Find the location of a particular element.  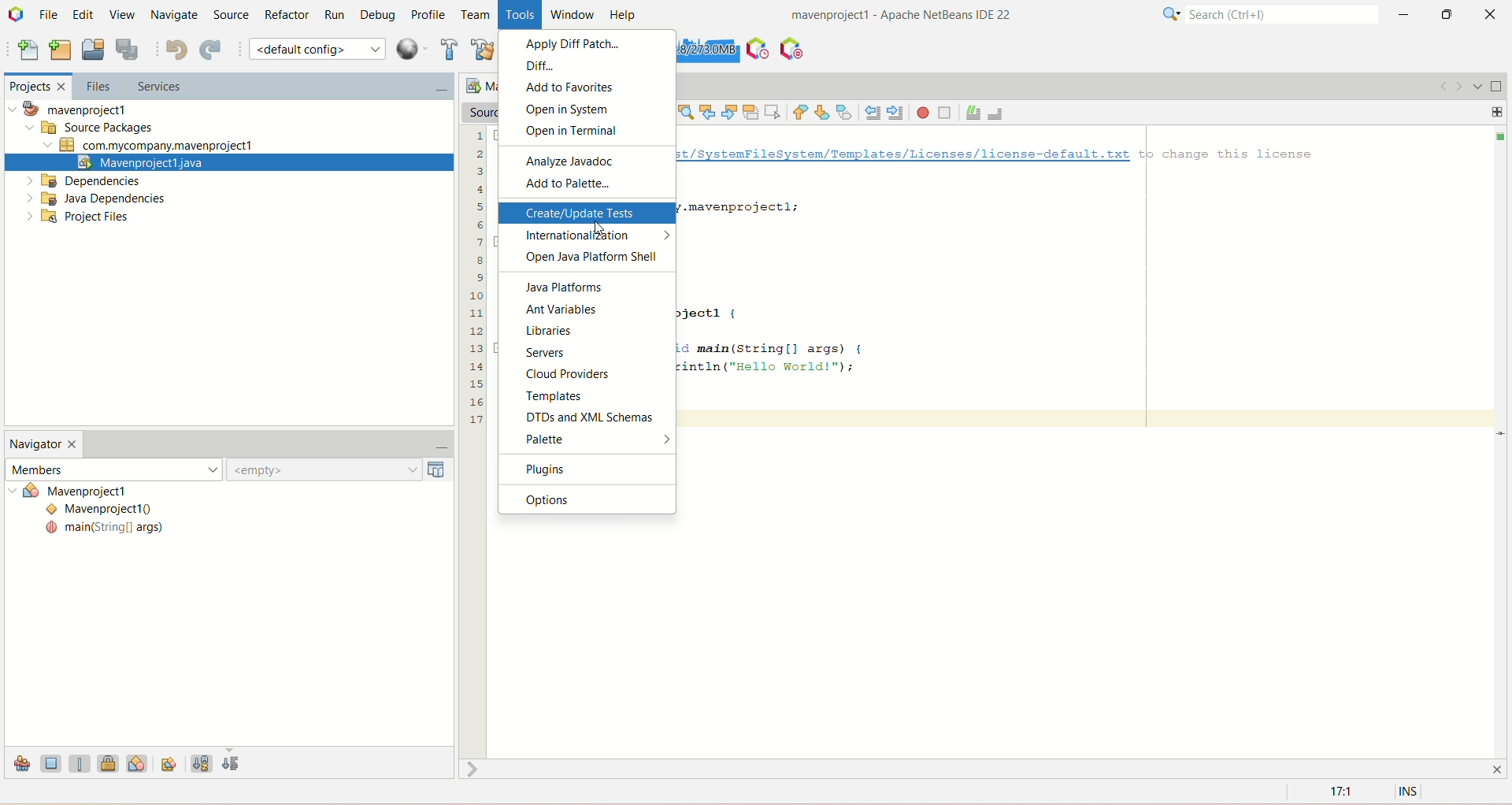

source is located at coordinates (229, 13).